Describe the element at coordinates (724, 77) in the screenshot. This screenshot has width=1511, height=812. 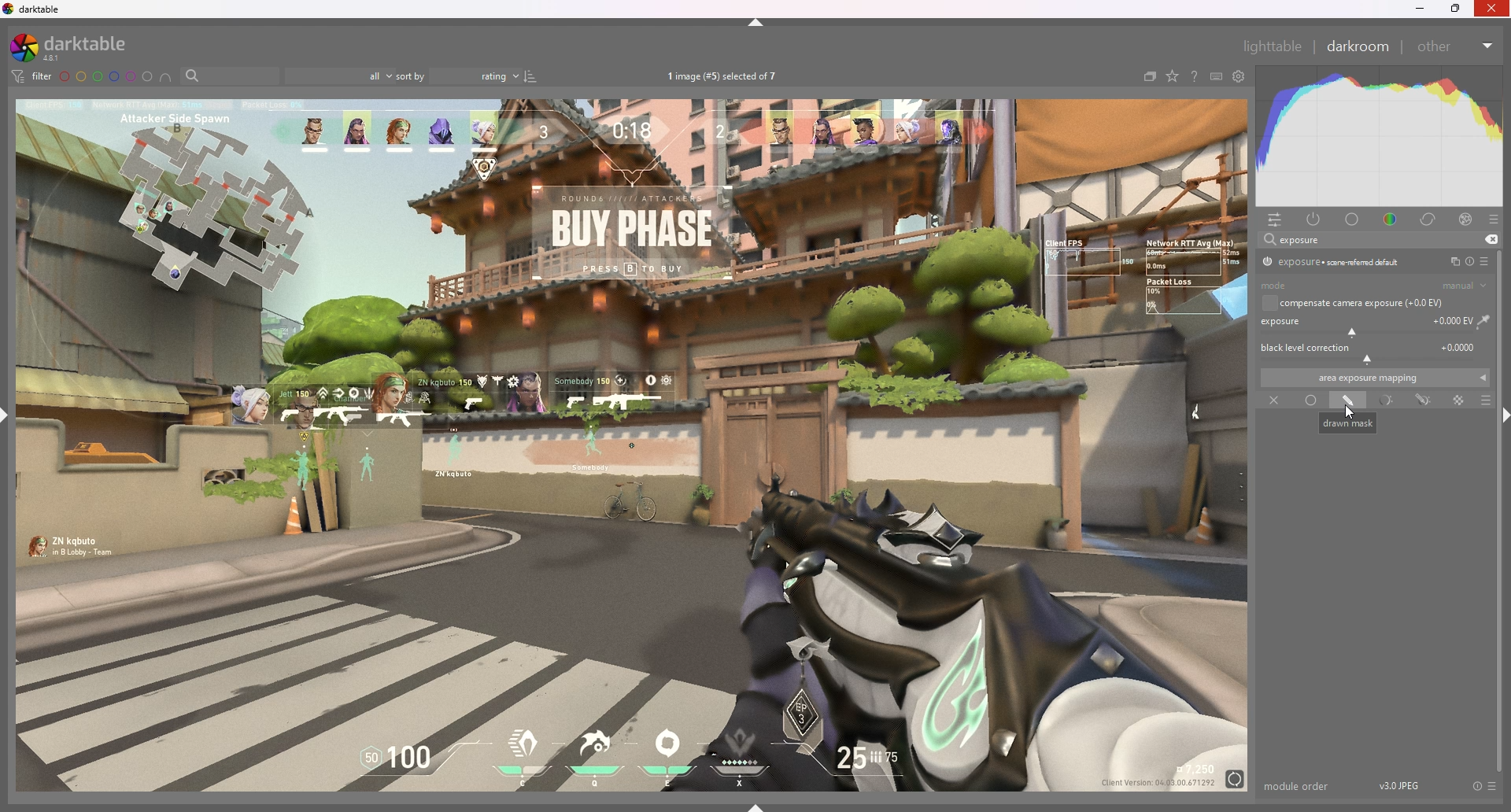
I see `images selected` at that location.